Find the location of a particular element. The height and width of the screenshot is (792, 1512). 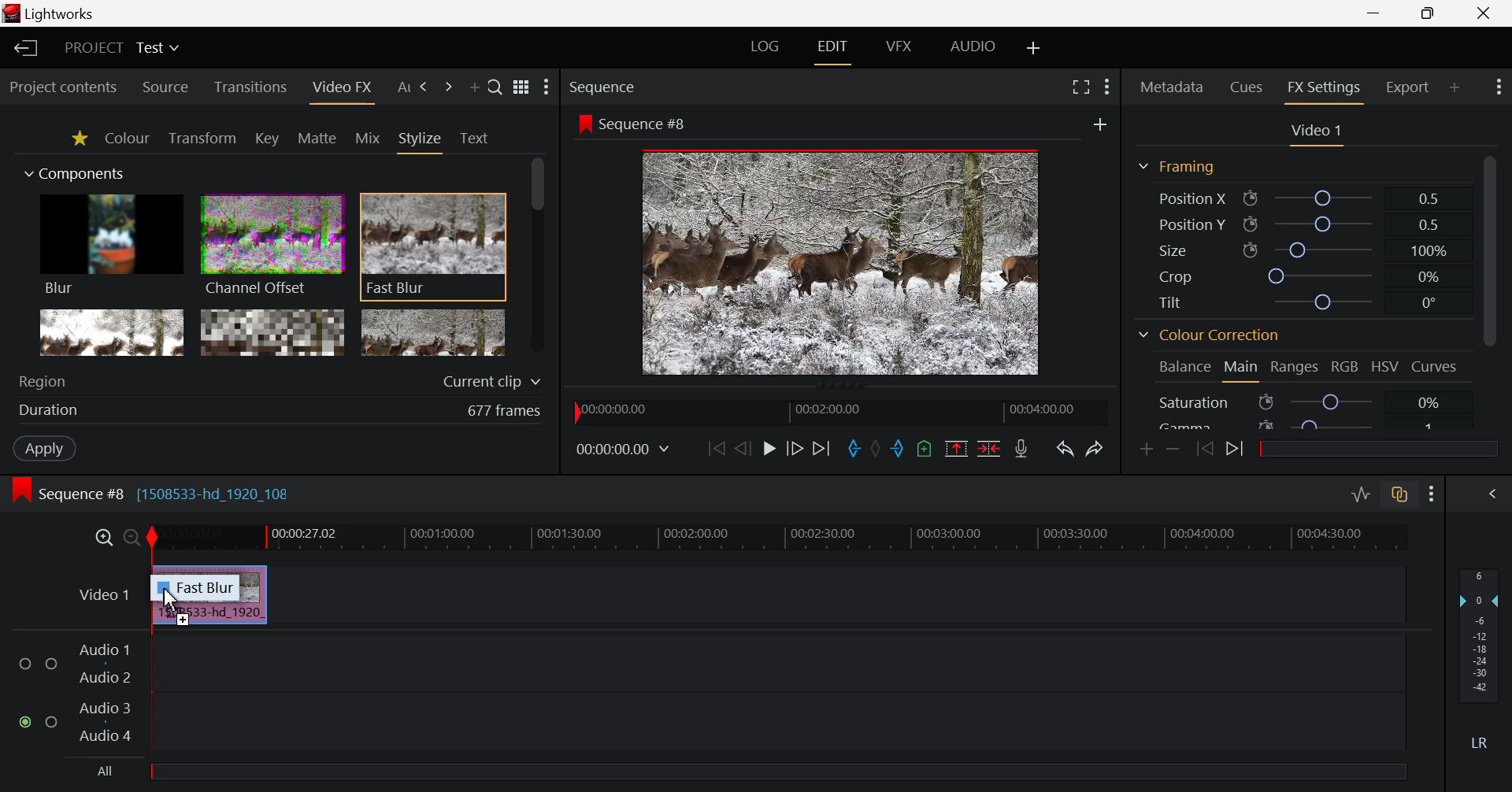

Minimize is located at coordinates (1430, 13).